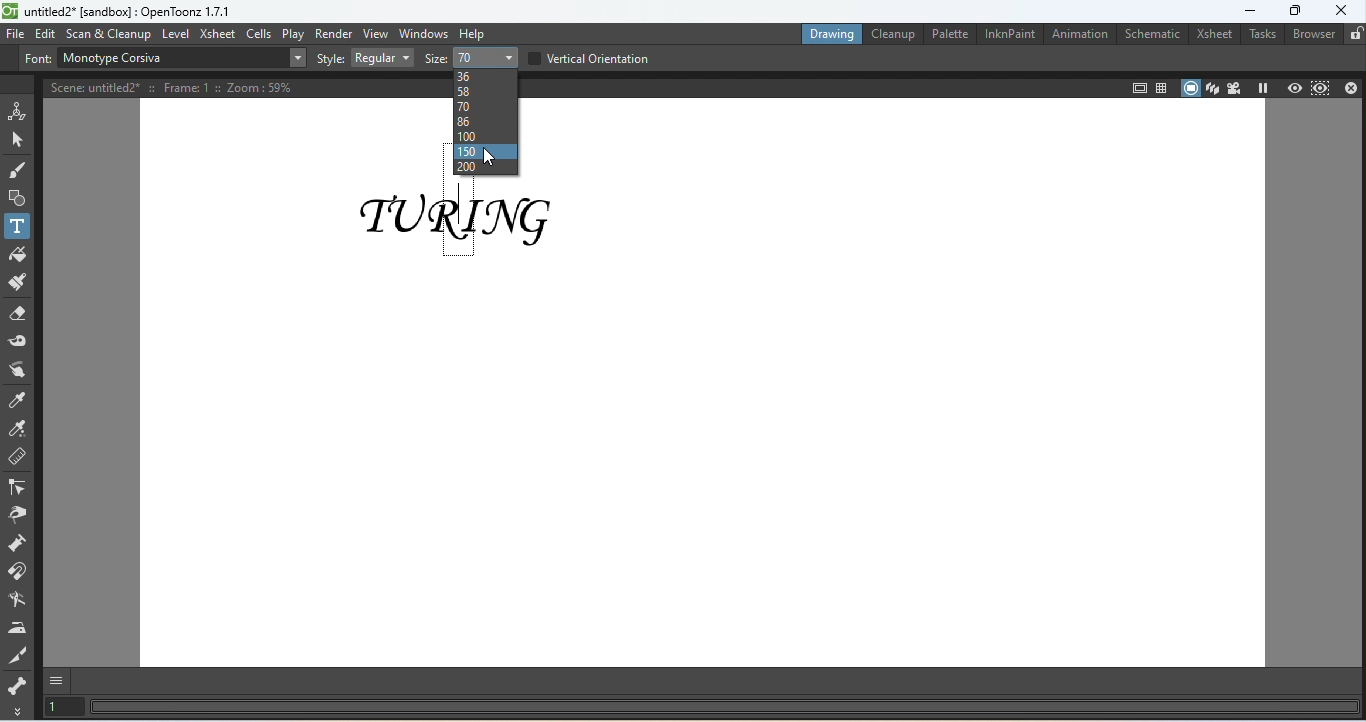 The width and height of the screenshot is (1366, 722). Describe the element at coordinates (19, 654) in the screenshot. I see `cutter tool` at that location.